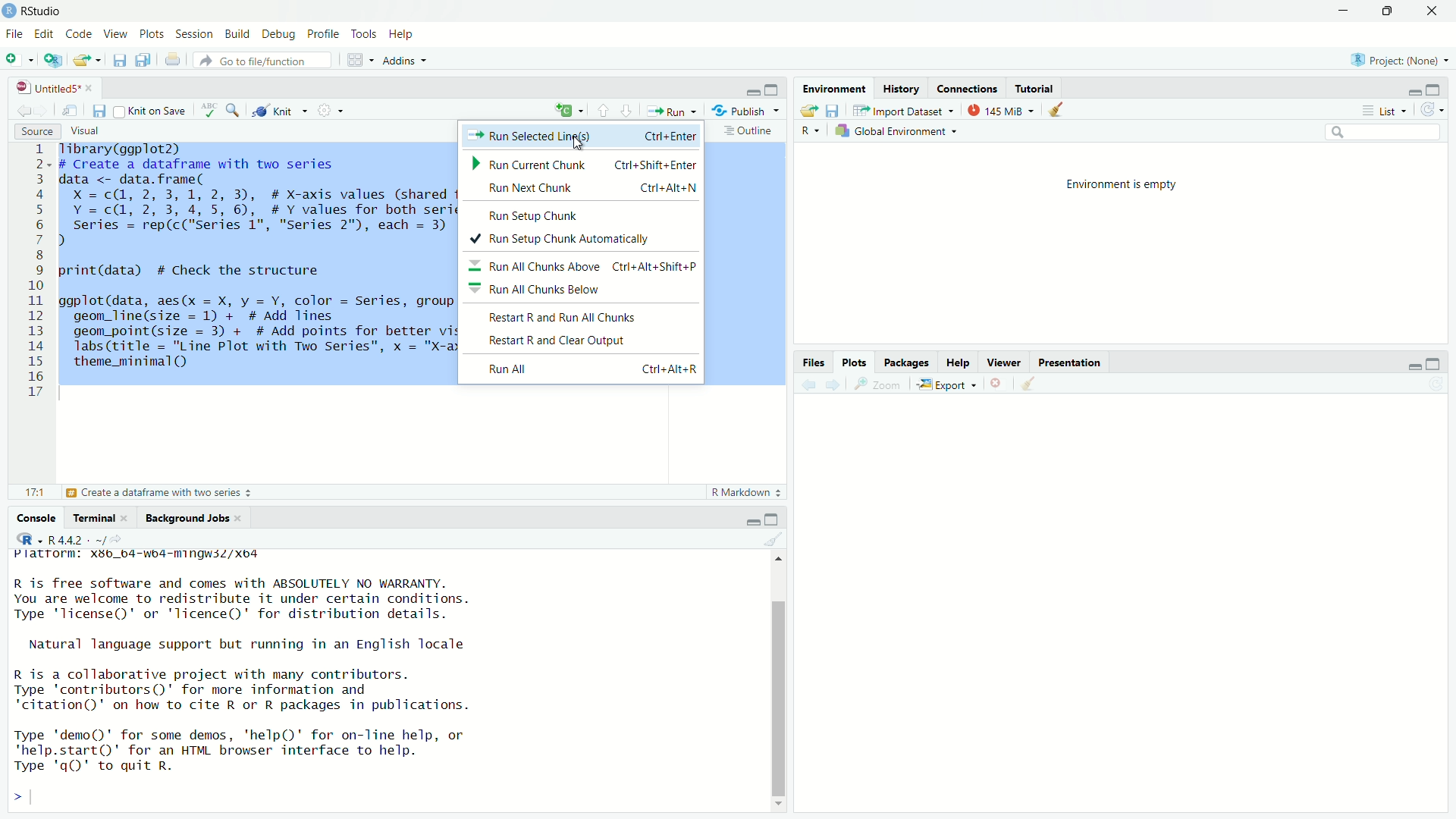 The image size is (1456, 819). I want to click on Go forward to the next source selection, so click(42, 109).